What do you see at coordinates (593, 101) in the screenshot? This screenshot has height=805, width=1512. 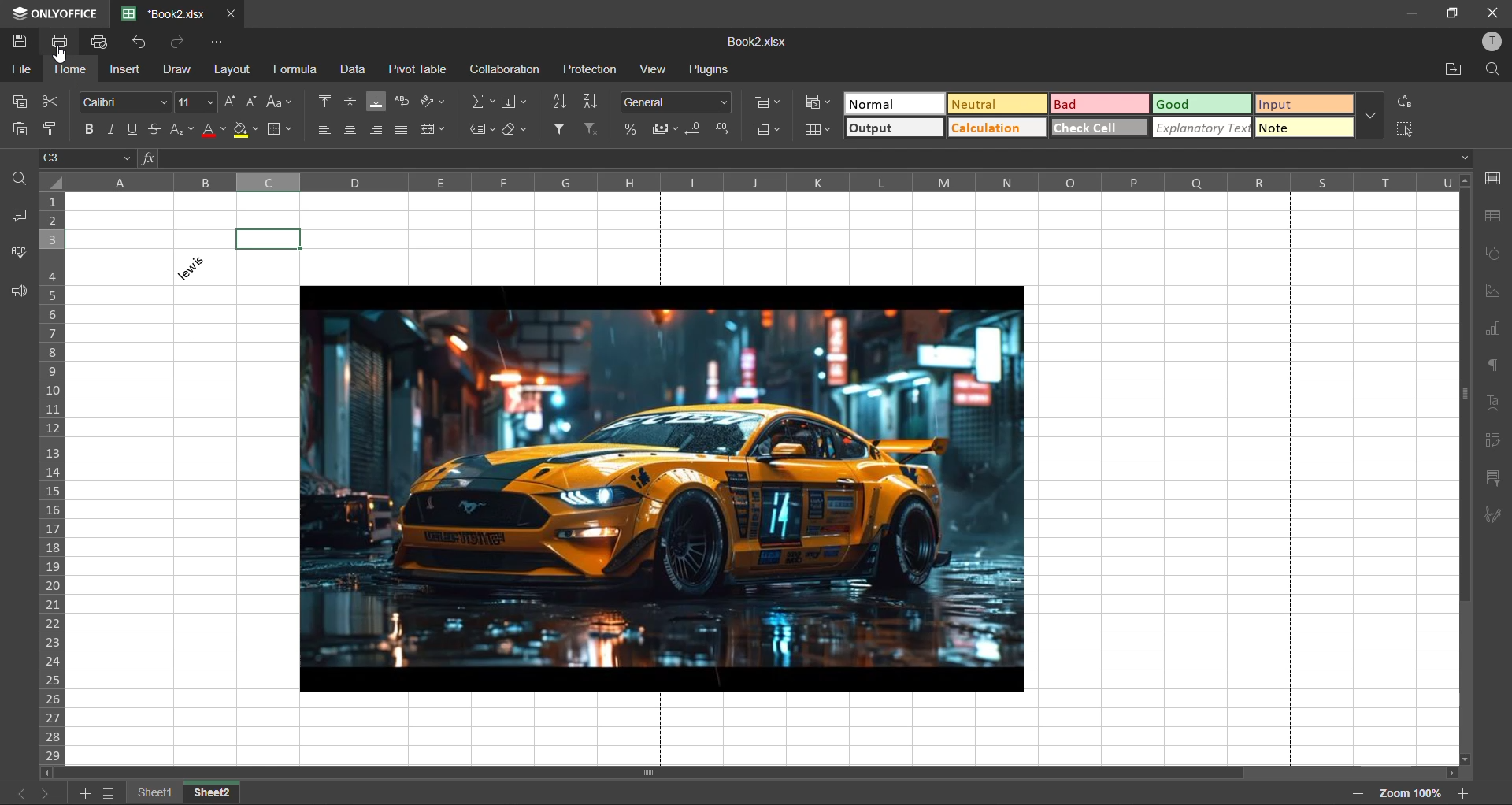 I see `sort ascending` at bounding box center [593, 101].